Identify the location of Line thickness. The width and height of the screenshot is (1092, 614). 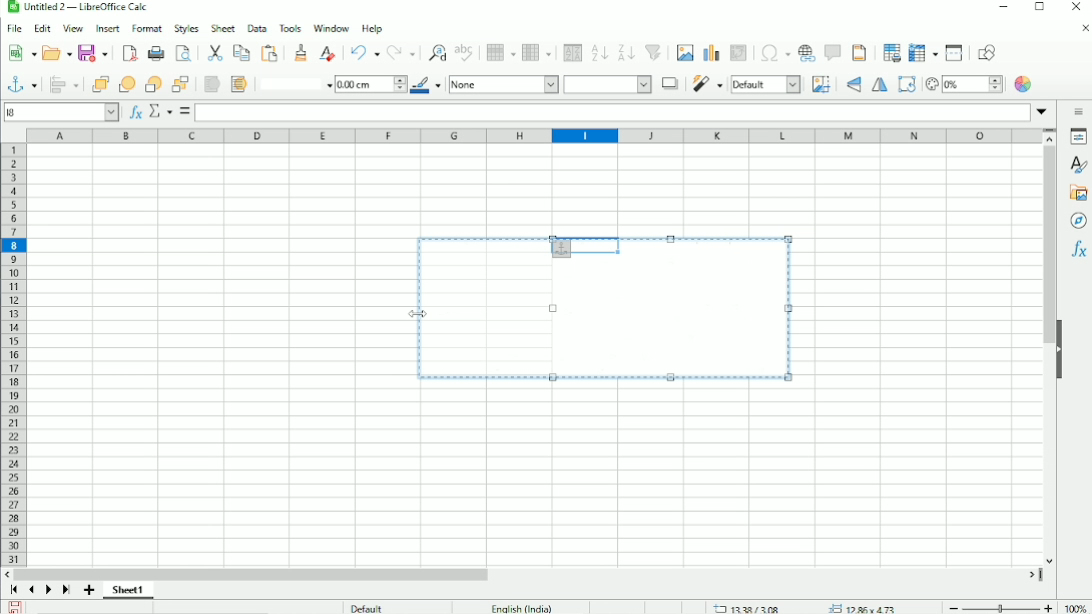
(370, 83).